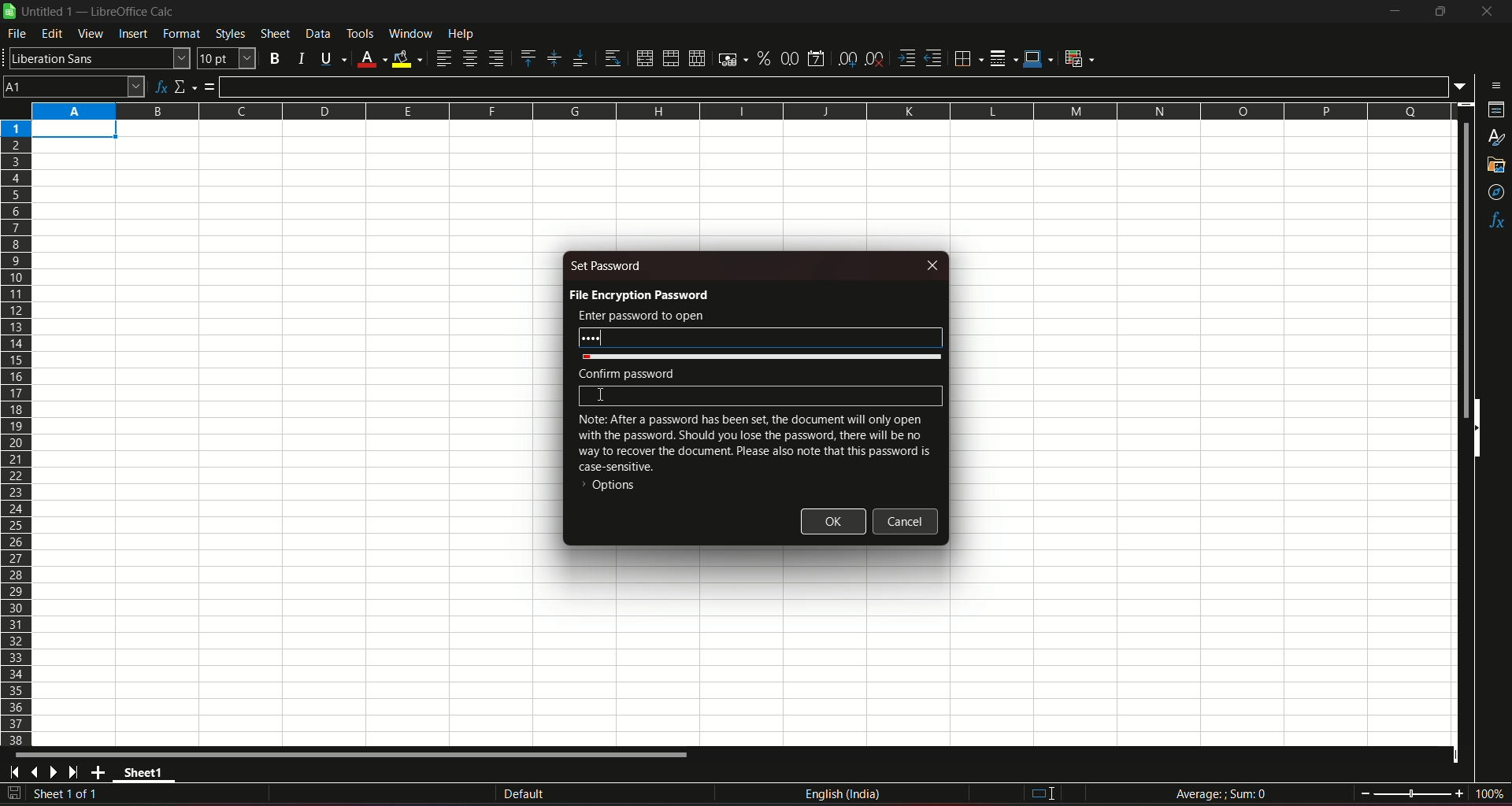 The image size is (1512, 806). I want to click on functions, so click(1495, 221).